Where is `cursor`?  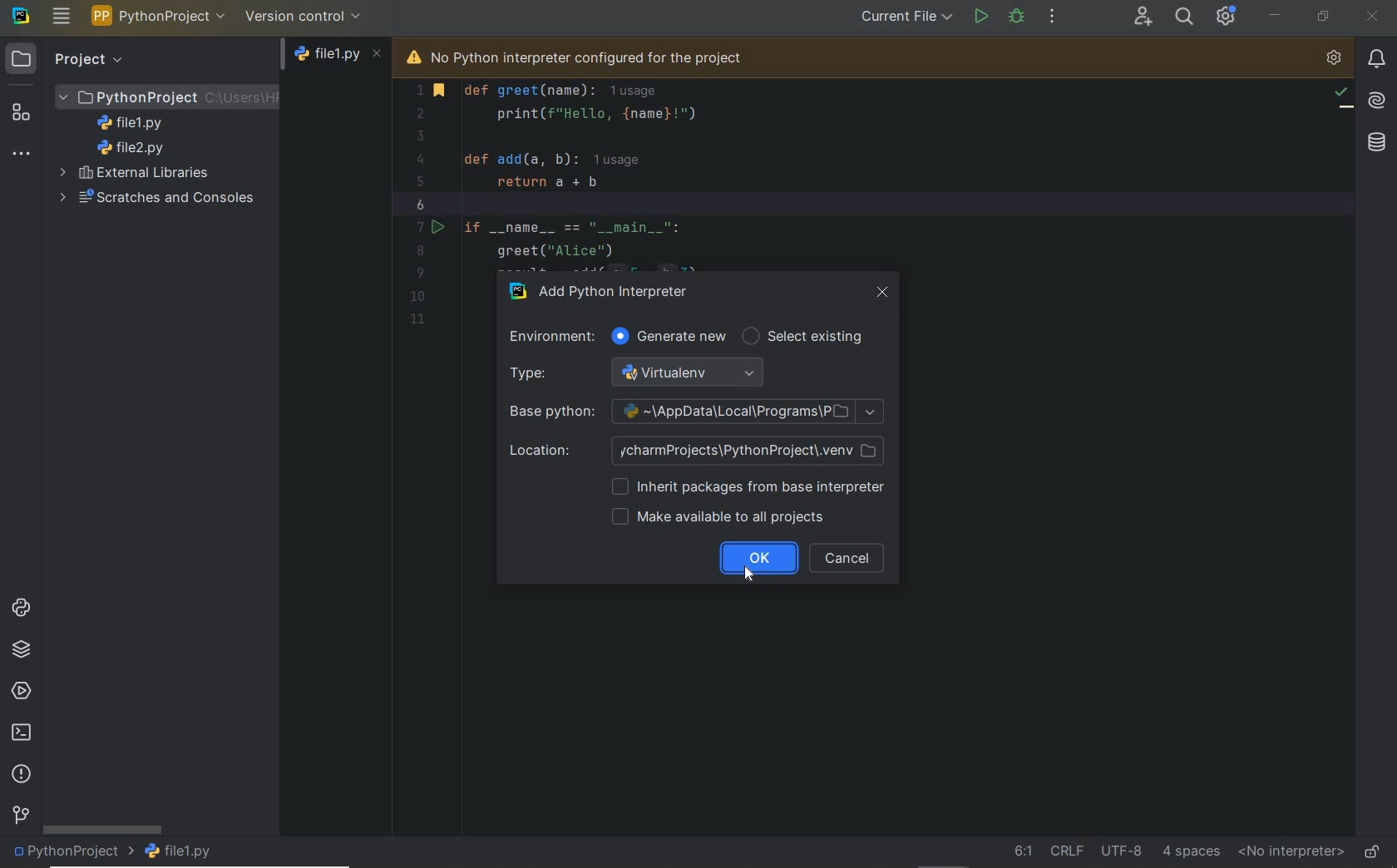
cursor is located at coordinates (754, 579).